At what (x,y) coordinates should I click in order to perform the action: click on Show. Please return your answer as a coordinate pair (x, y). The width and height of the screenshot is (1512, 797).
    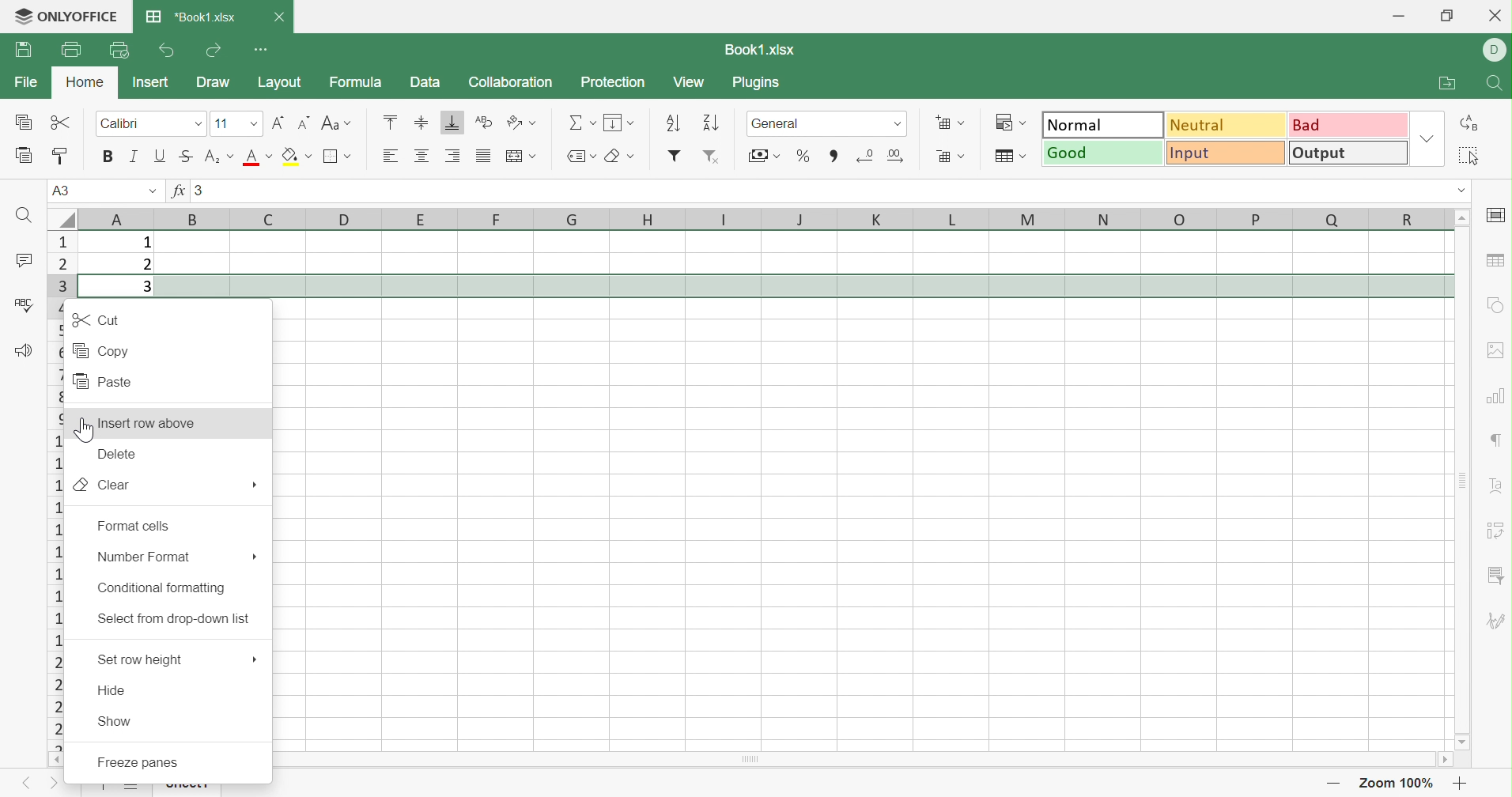
    Looking at the image, I should click on (115, 719).